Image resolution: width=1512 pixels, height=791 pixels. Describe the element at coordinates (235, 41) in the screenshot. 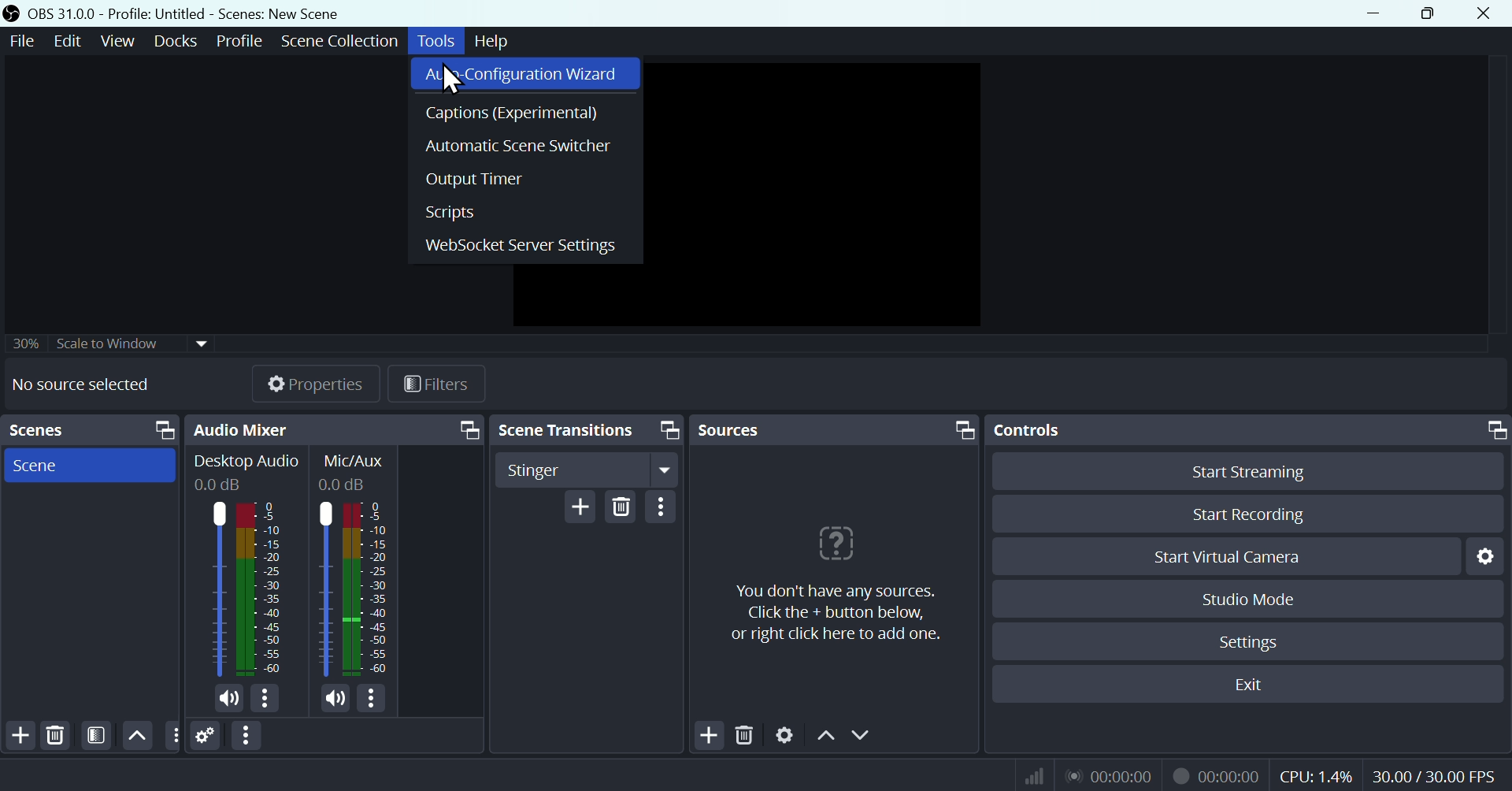

I see `Profile` at that location.